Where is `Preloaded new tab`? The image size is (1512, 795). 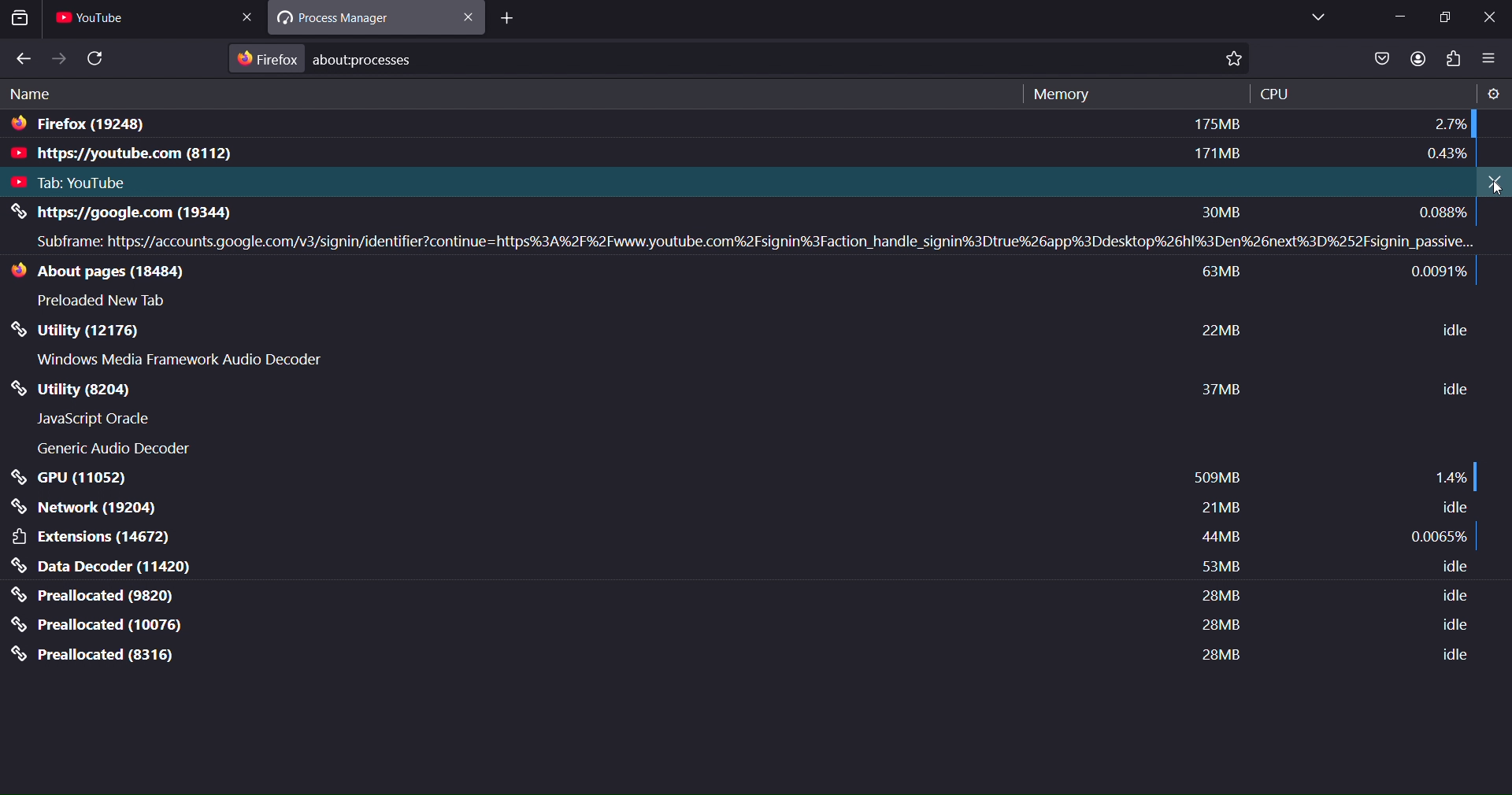 Preloaded new tab is located at coordinates (107, 301).